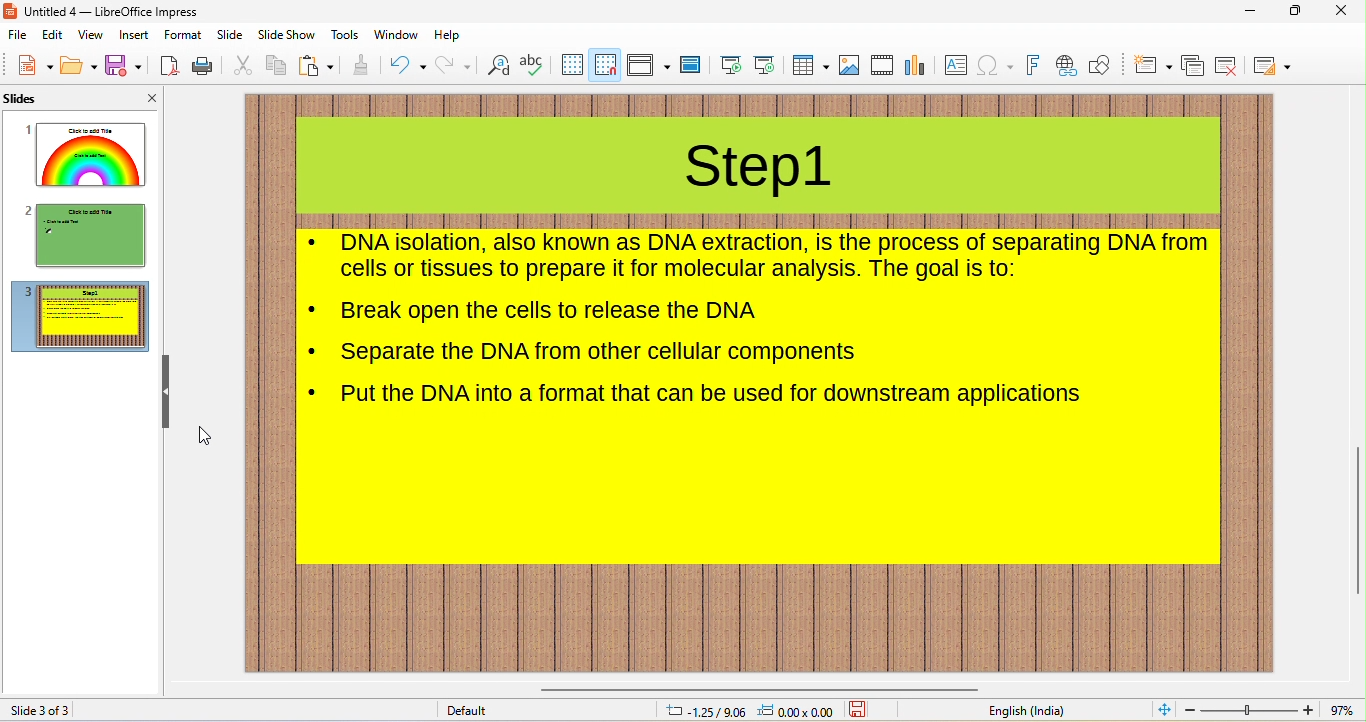 This screenshot has height=722, width=1366. I want to click on tools, so click(345, 34).